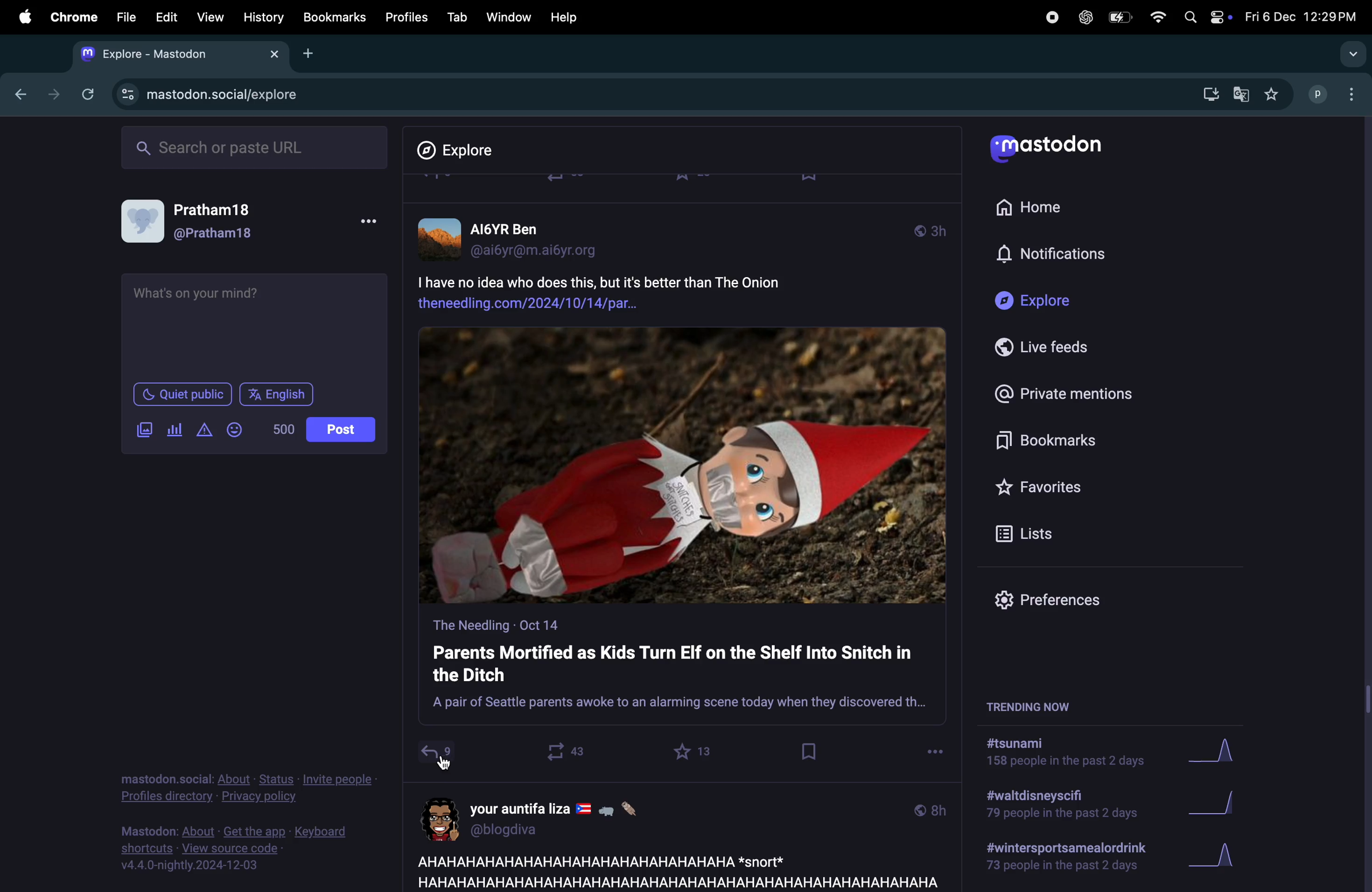 This screenshot has width=1372, height=892. What do you see at coordinates (205, 92) in the screenshot?
I see `mastodo explore` at bounding box center [205, 92].